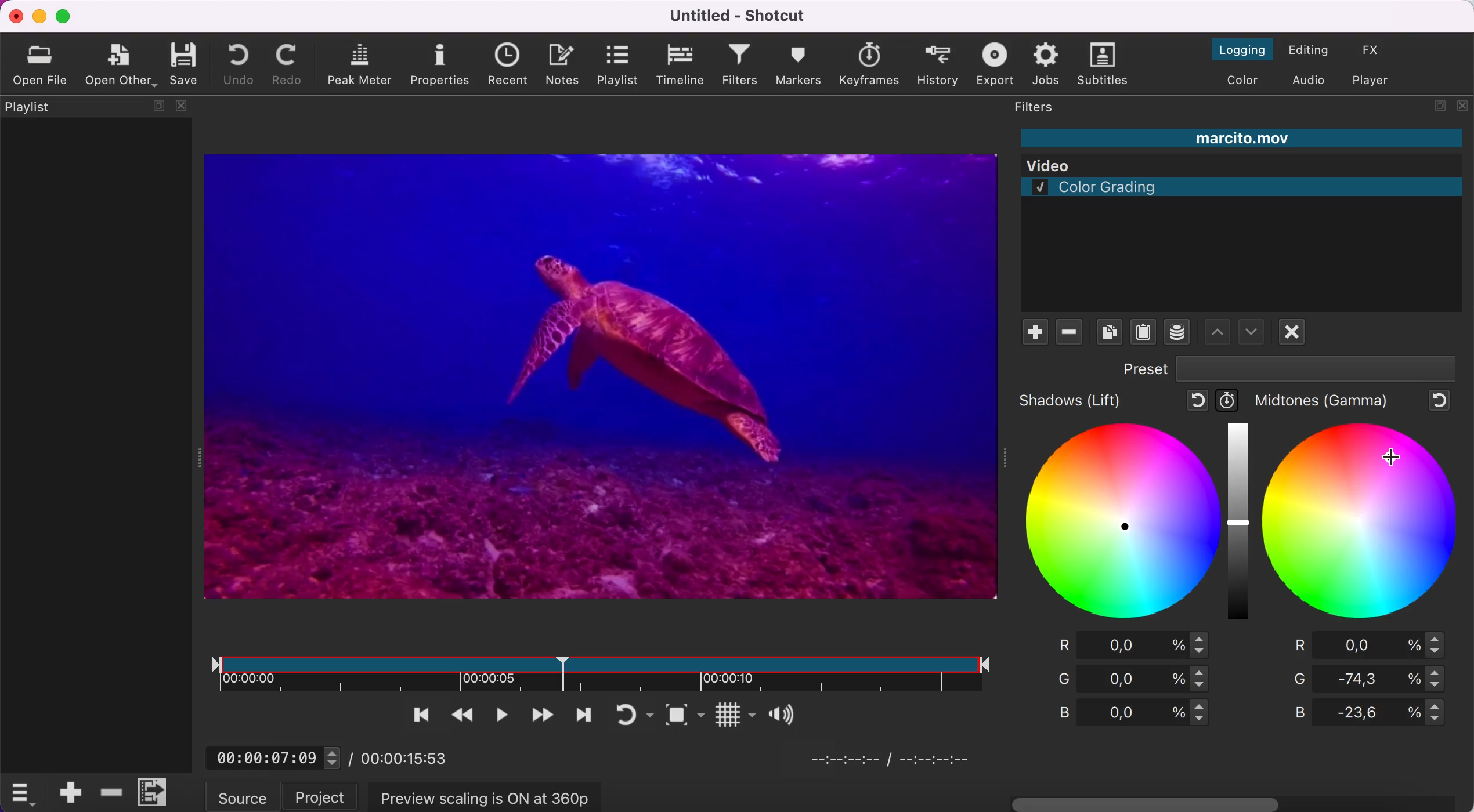 The width and height of the screenshot is (1474, 812). I want to click on paste filters, so click(1144, 334).